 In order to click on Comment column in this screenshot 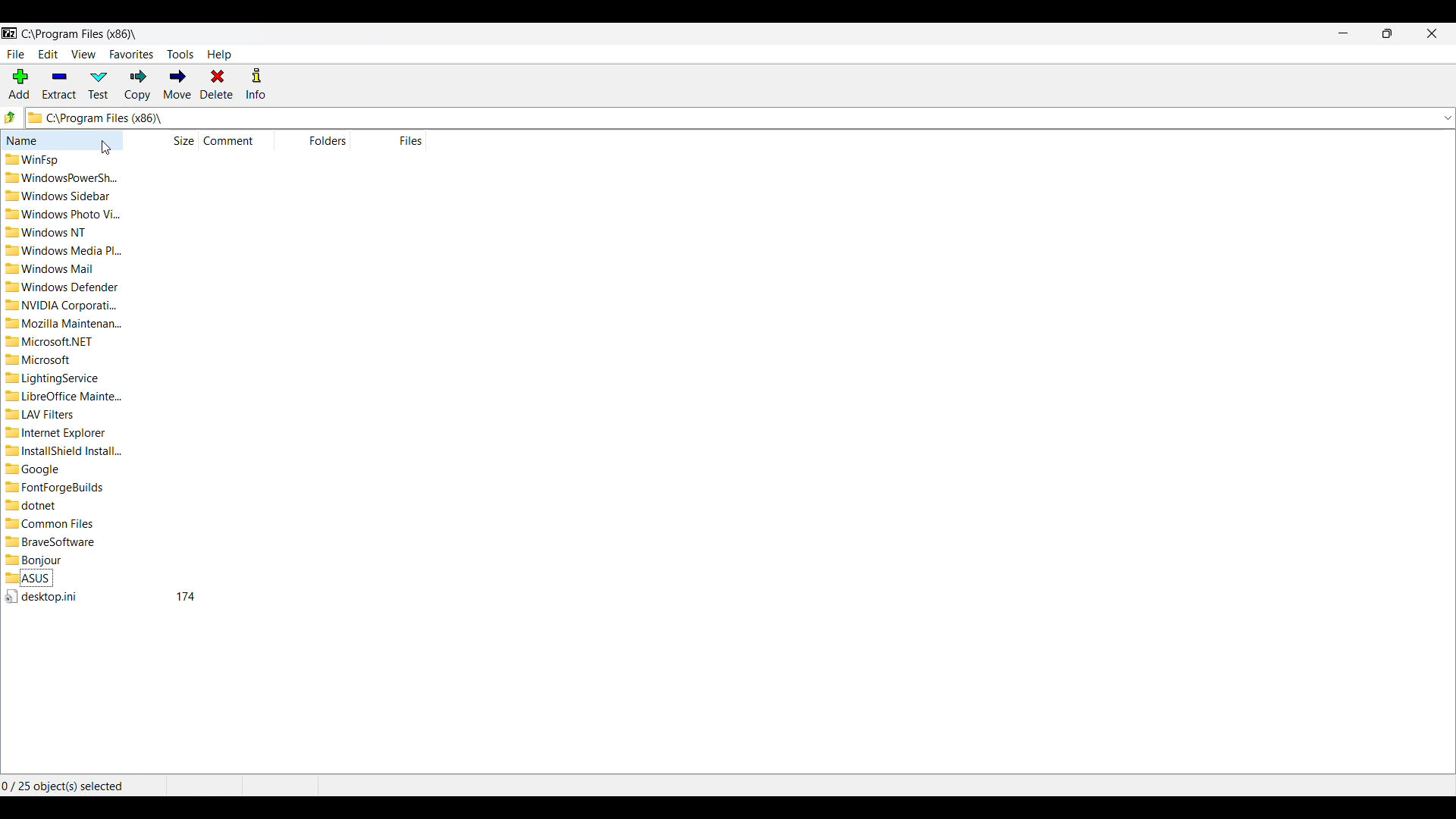, I will do `click(238, 141)`.